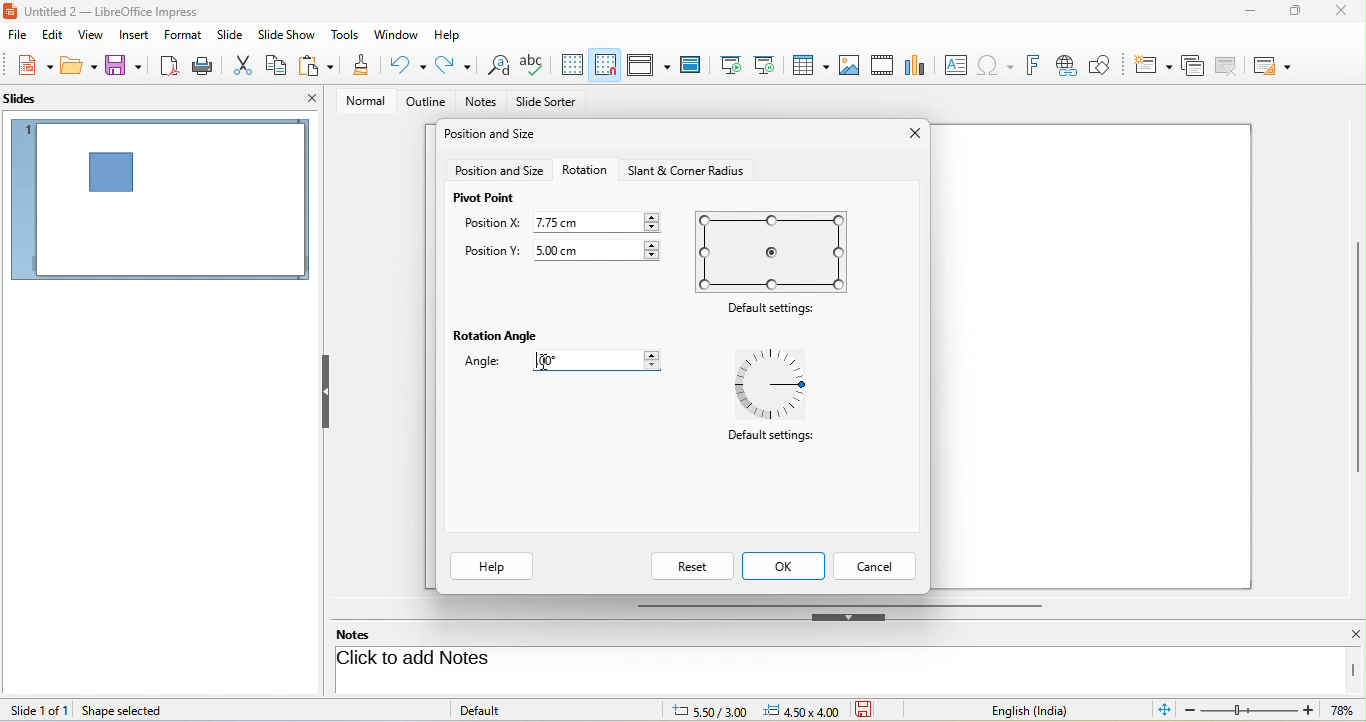 The height and width of the screenshot is (722, 1366). What do you see at coordinates (39, 710) in the screenshot?
I see `slide 1 of 1` at bounding box center [39, 710].